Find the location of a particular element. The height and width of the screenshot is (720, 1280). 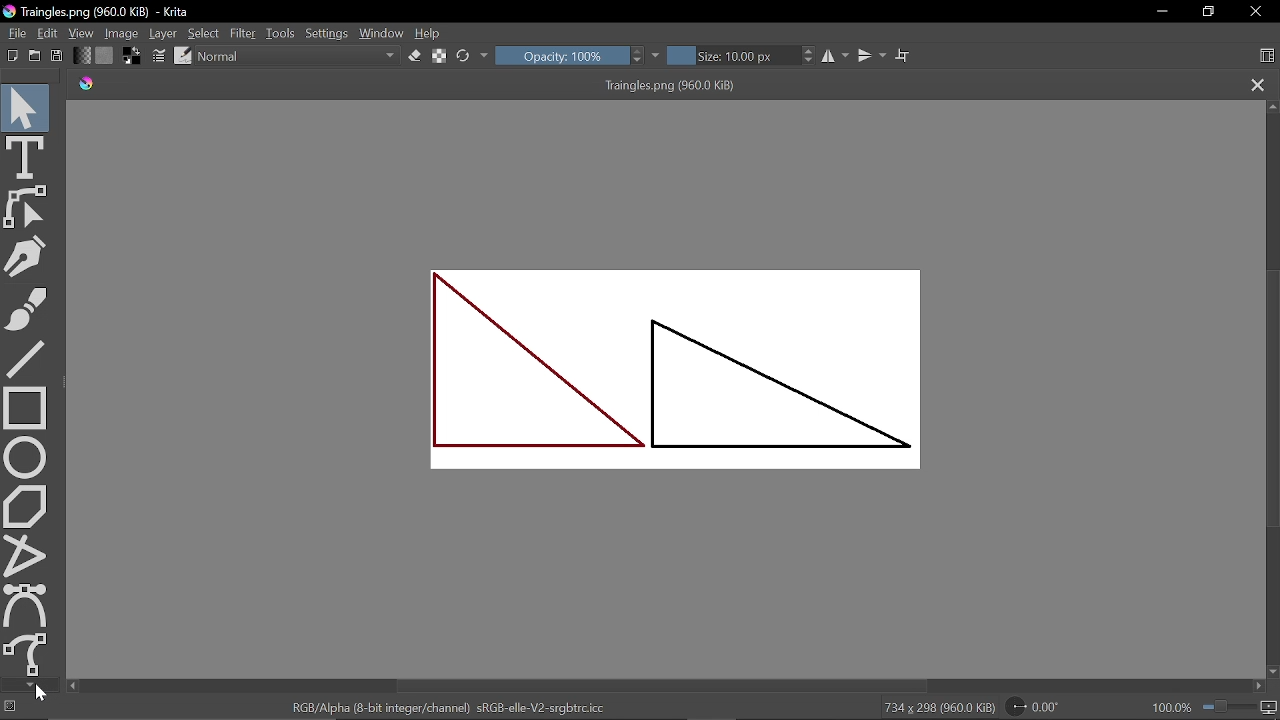

Selection tool is located at coordinates (26, 106).